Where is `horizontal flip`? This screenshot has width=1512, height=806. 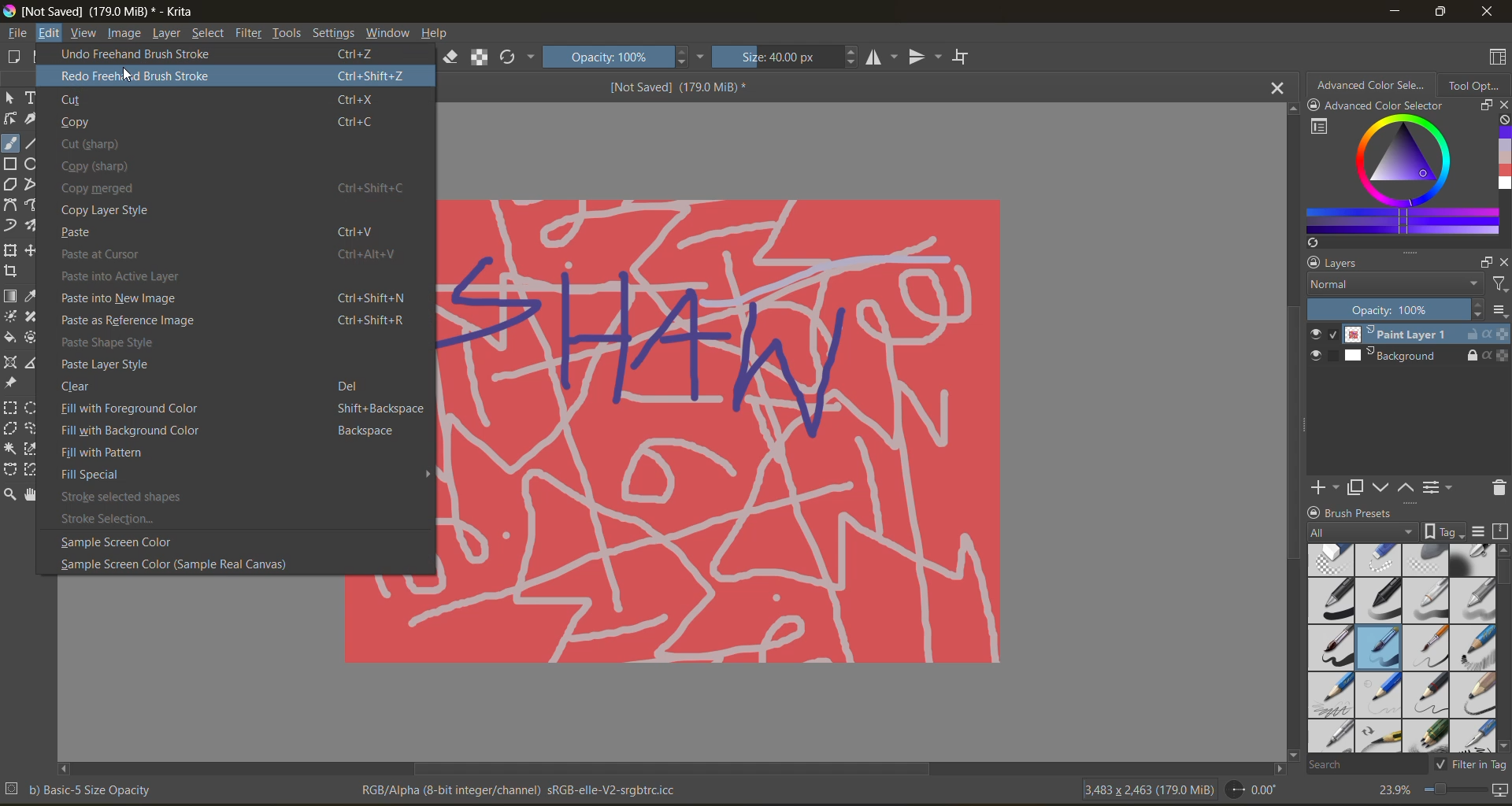
horizontal flip is located at coordinates (883, 57).